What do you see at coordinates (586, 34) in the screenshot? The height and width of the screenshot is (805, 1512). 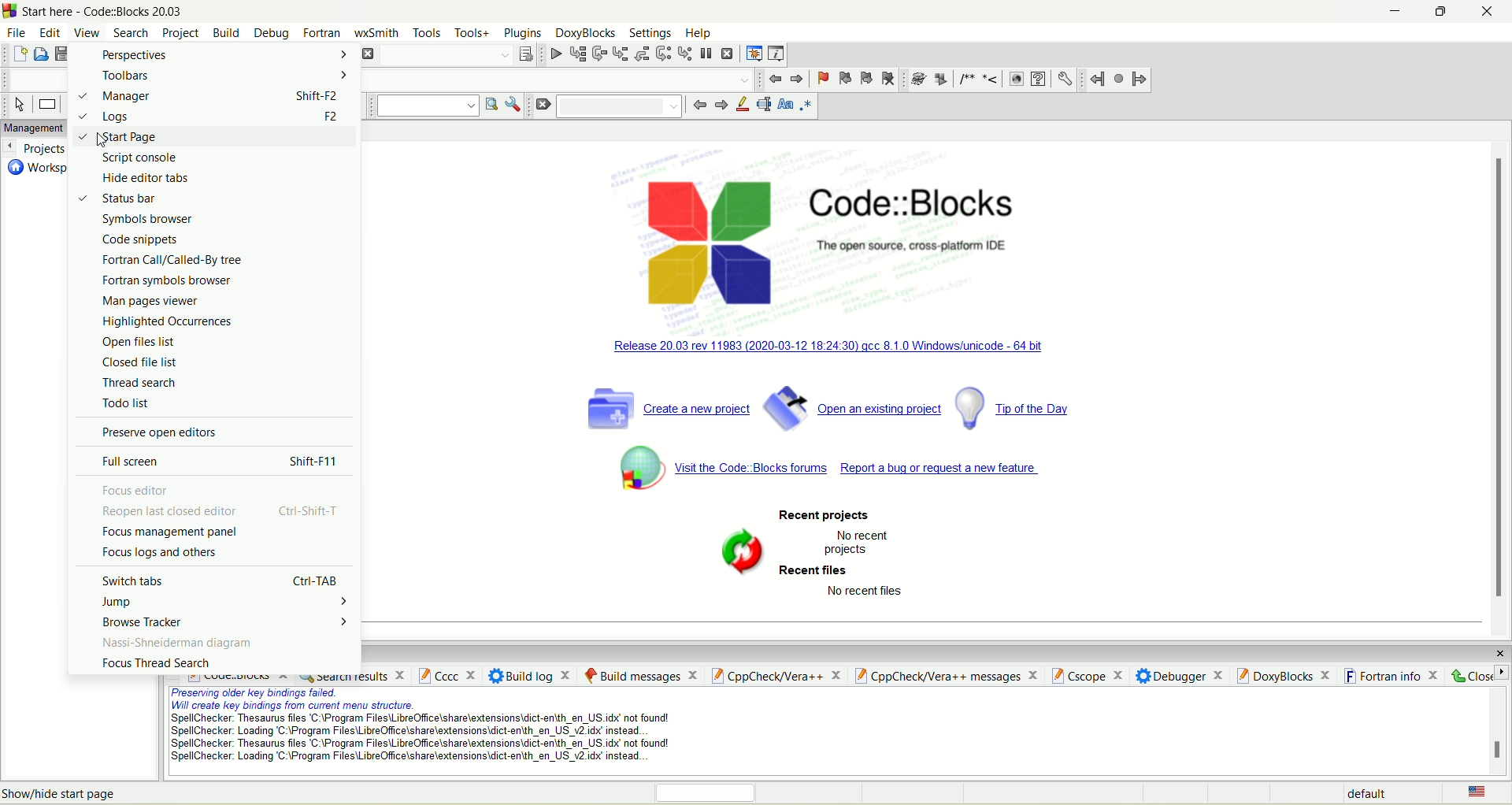 I see `doxyblocks` at bounding box center [586, 34].